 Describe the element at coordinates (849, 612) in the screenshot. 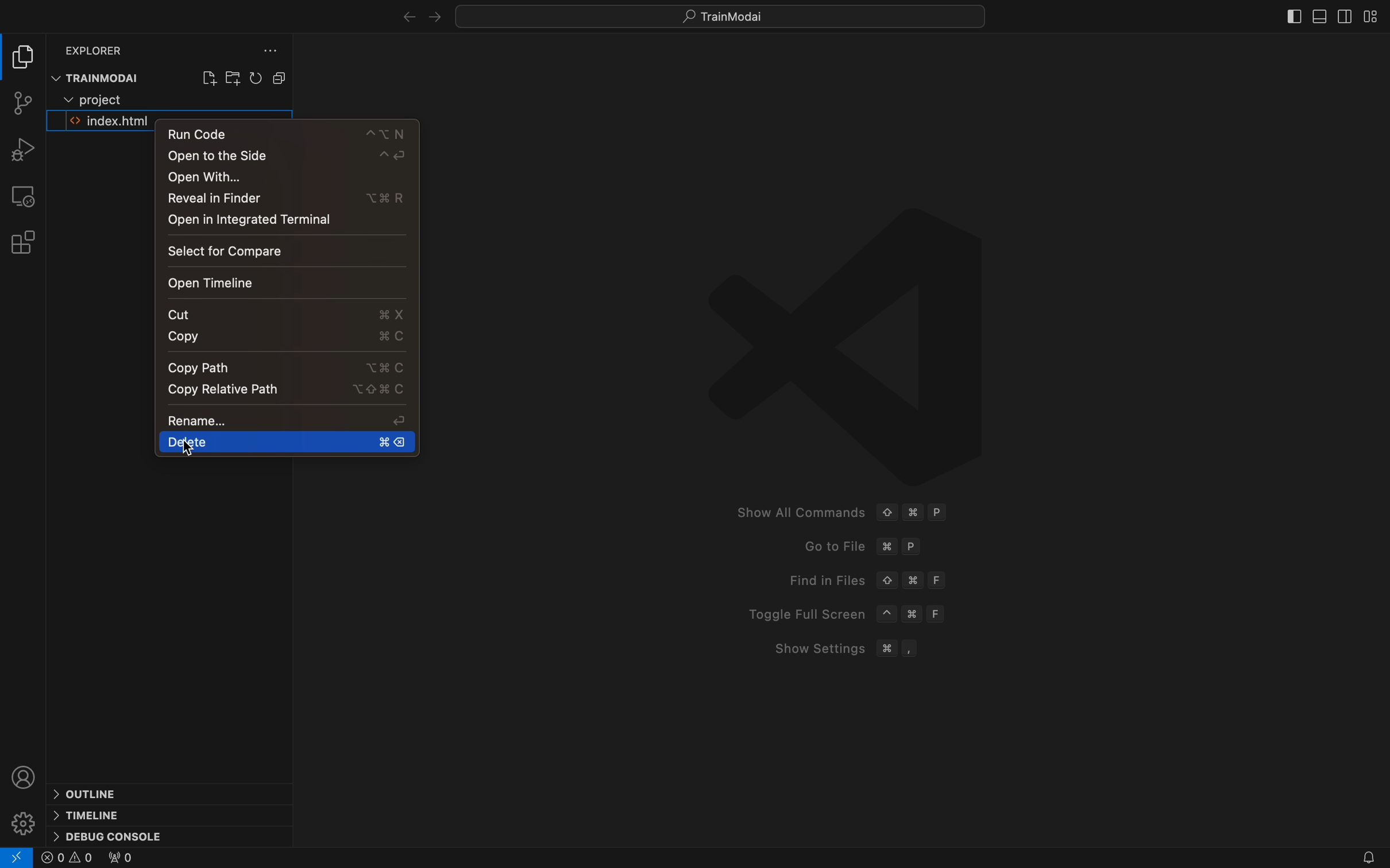

I see `Toggle` at that location.